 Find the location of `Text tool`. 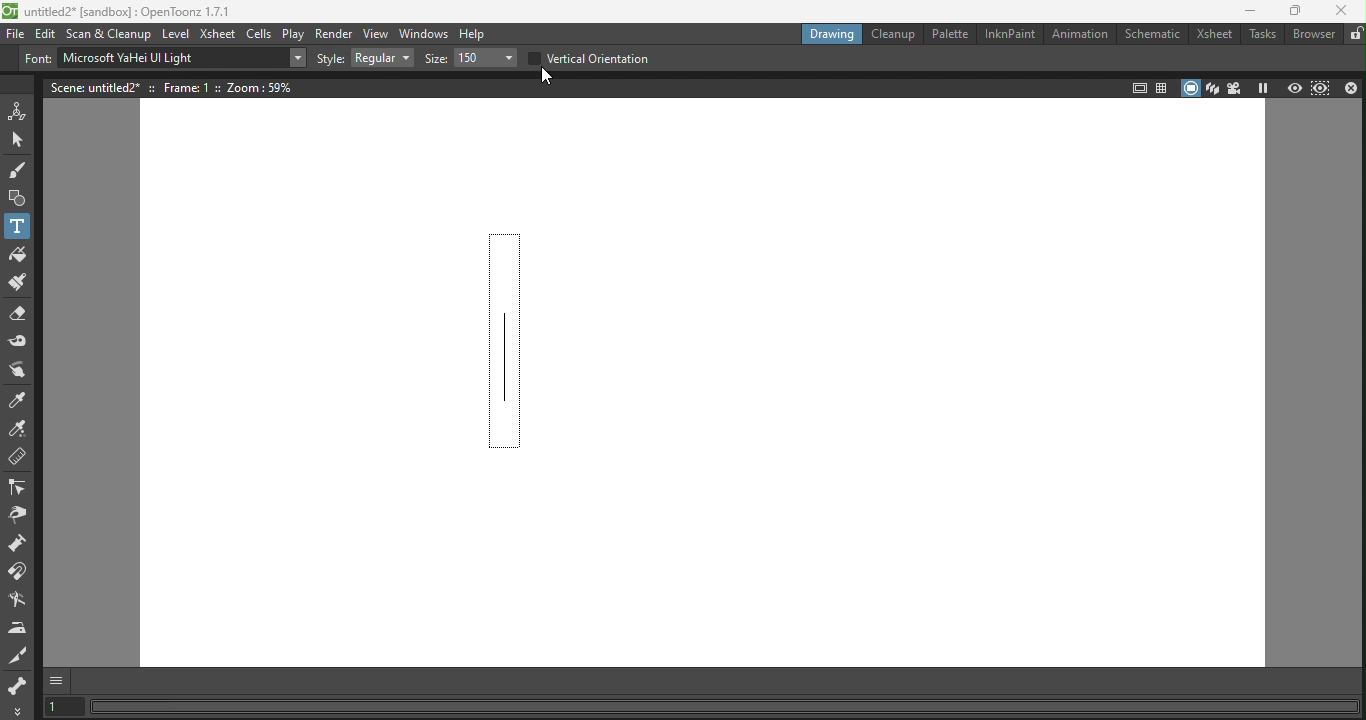

Text tool is located at coordinates (18, 227).